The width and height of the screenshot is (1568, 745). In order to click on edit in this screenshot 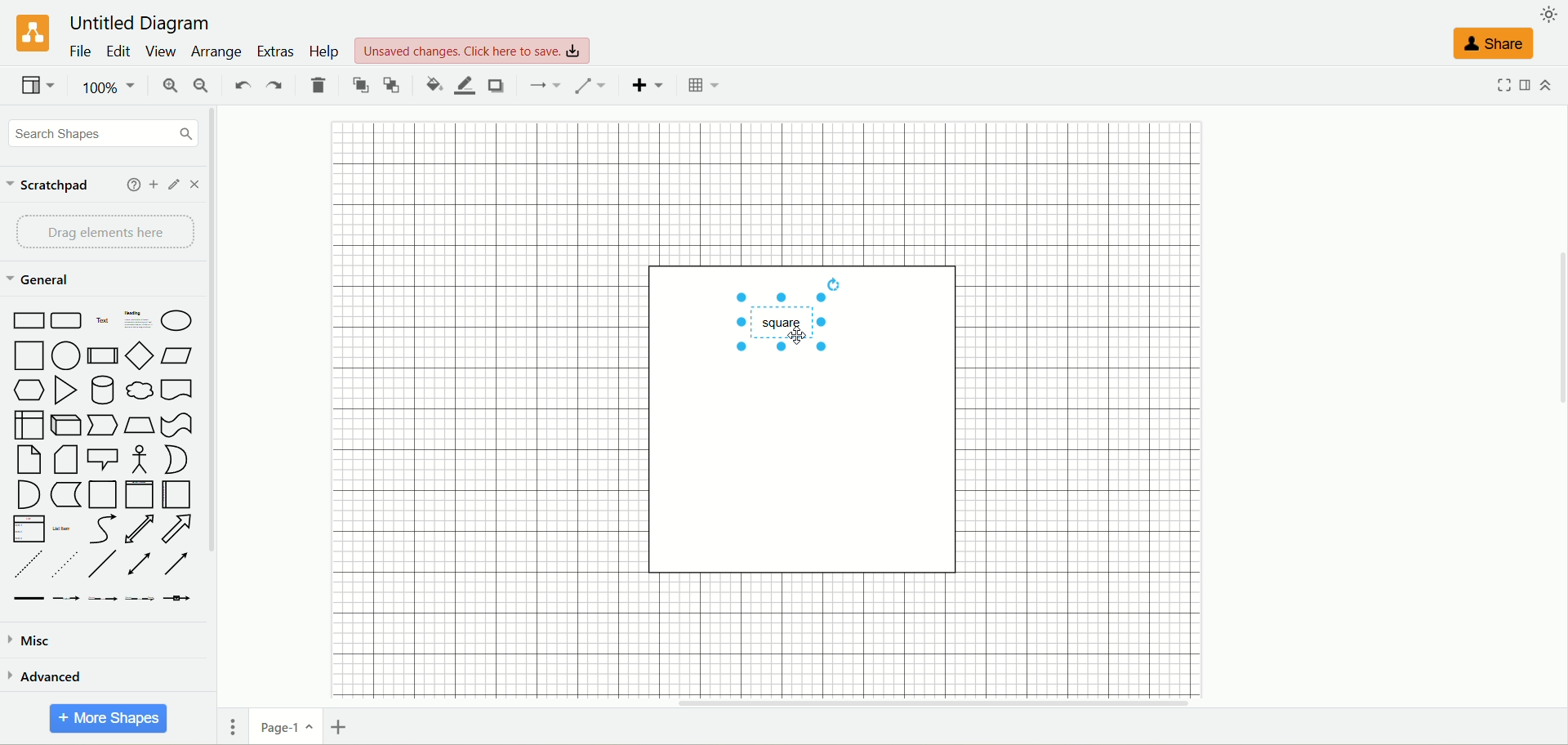, I will do `click(175, 185)`.